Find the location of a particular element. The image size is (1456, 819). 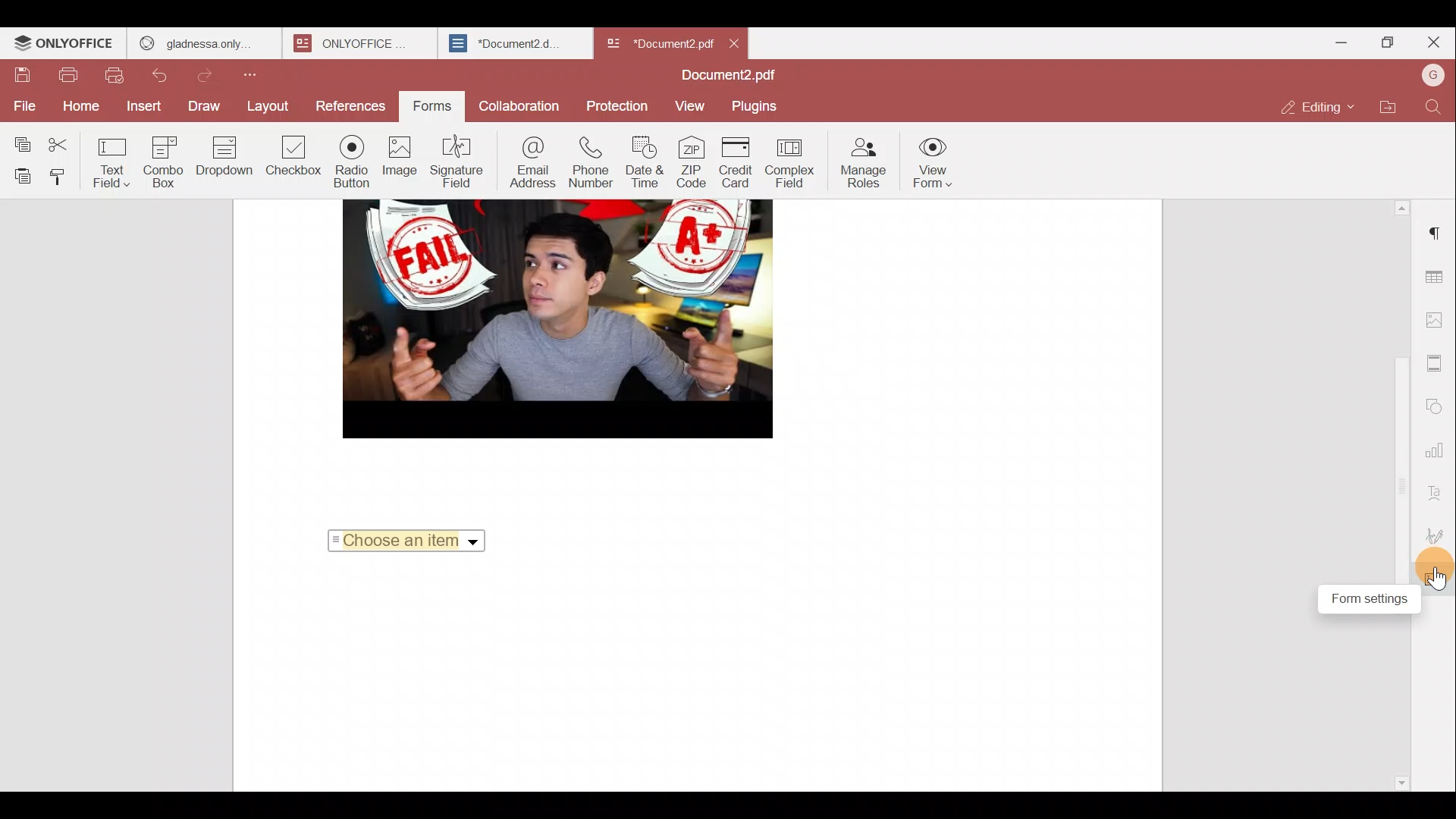

Text Art settings is located at coordinates (1438, 491).